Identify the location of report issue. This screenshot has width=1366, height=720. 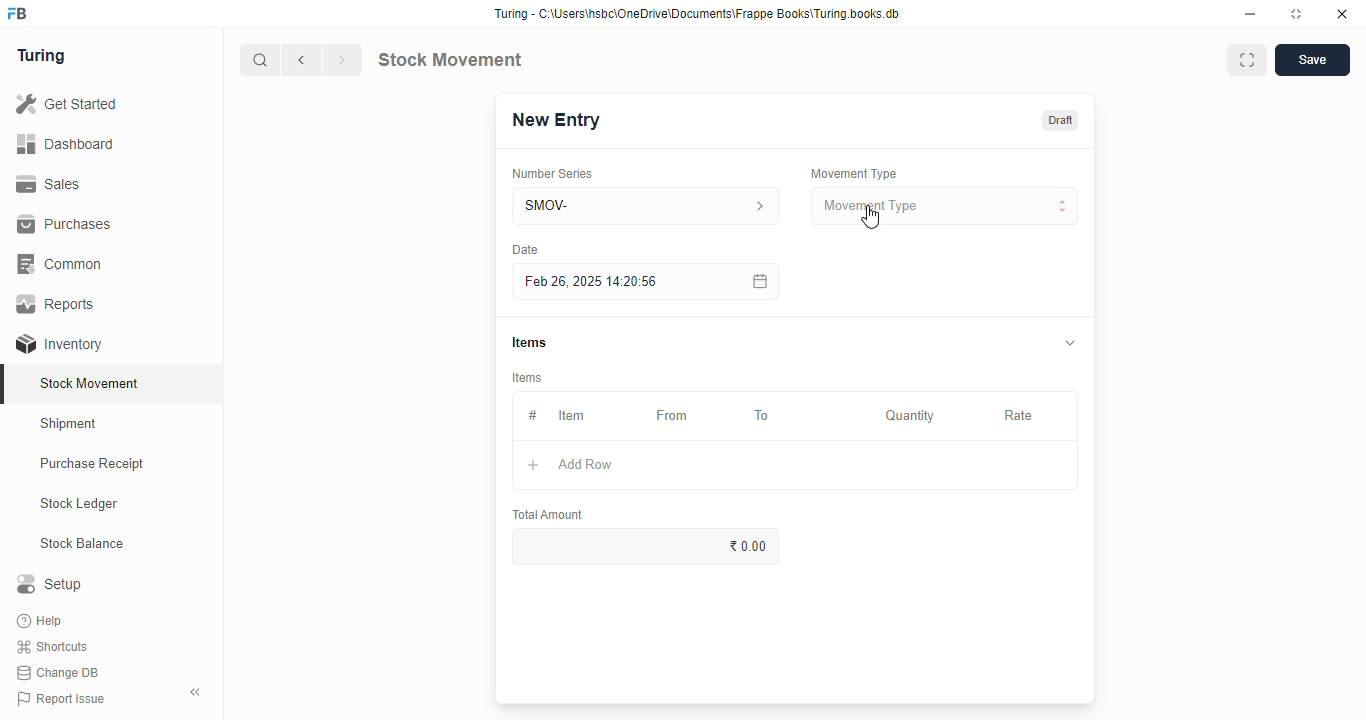
(61, 698).